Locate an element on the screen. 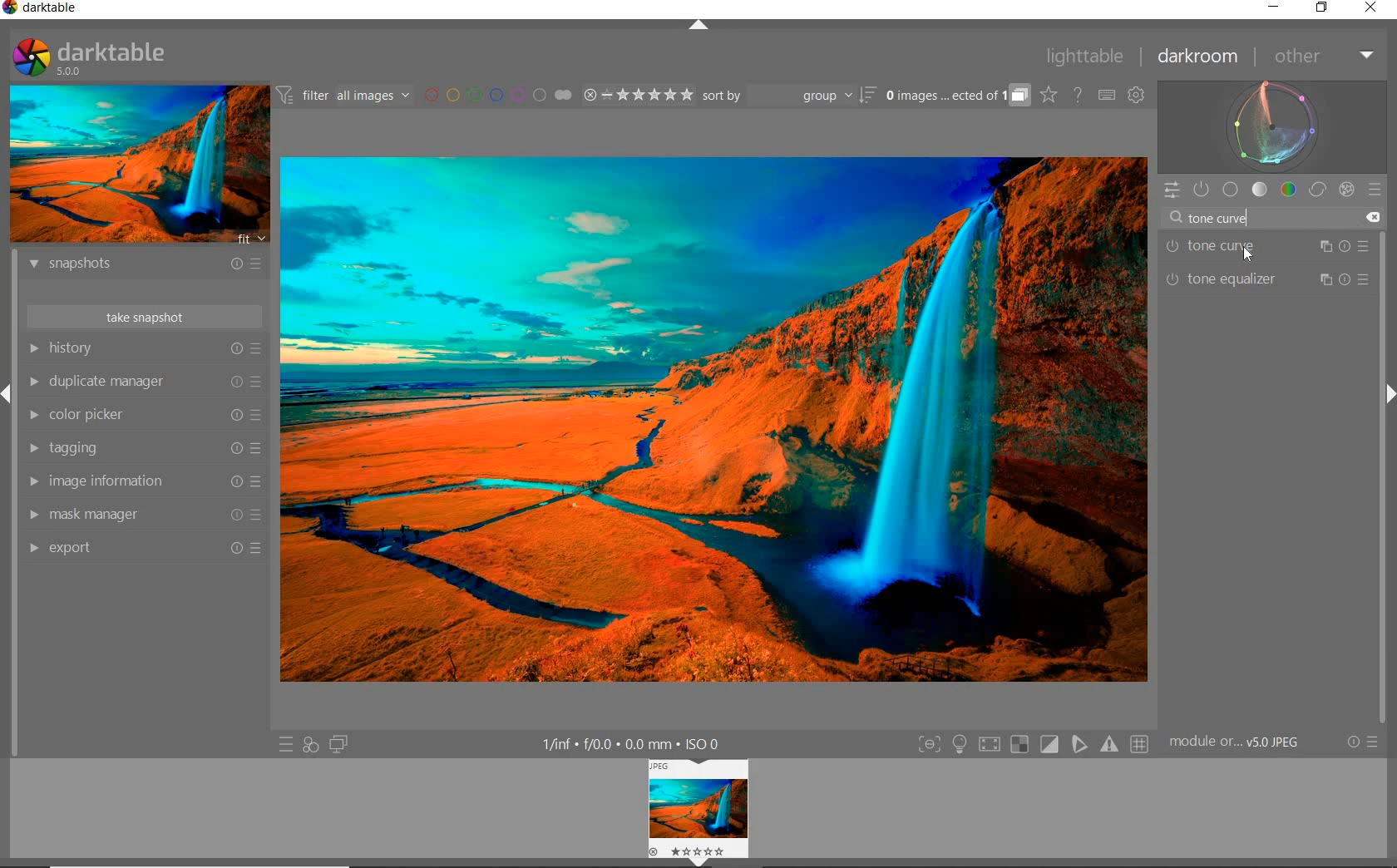 The height and width of the screenshot is (868, 1397). sort by is located at coordinates (789, 95).